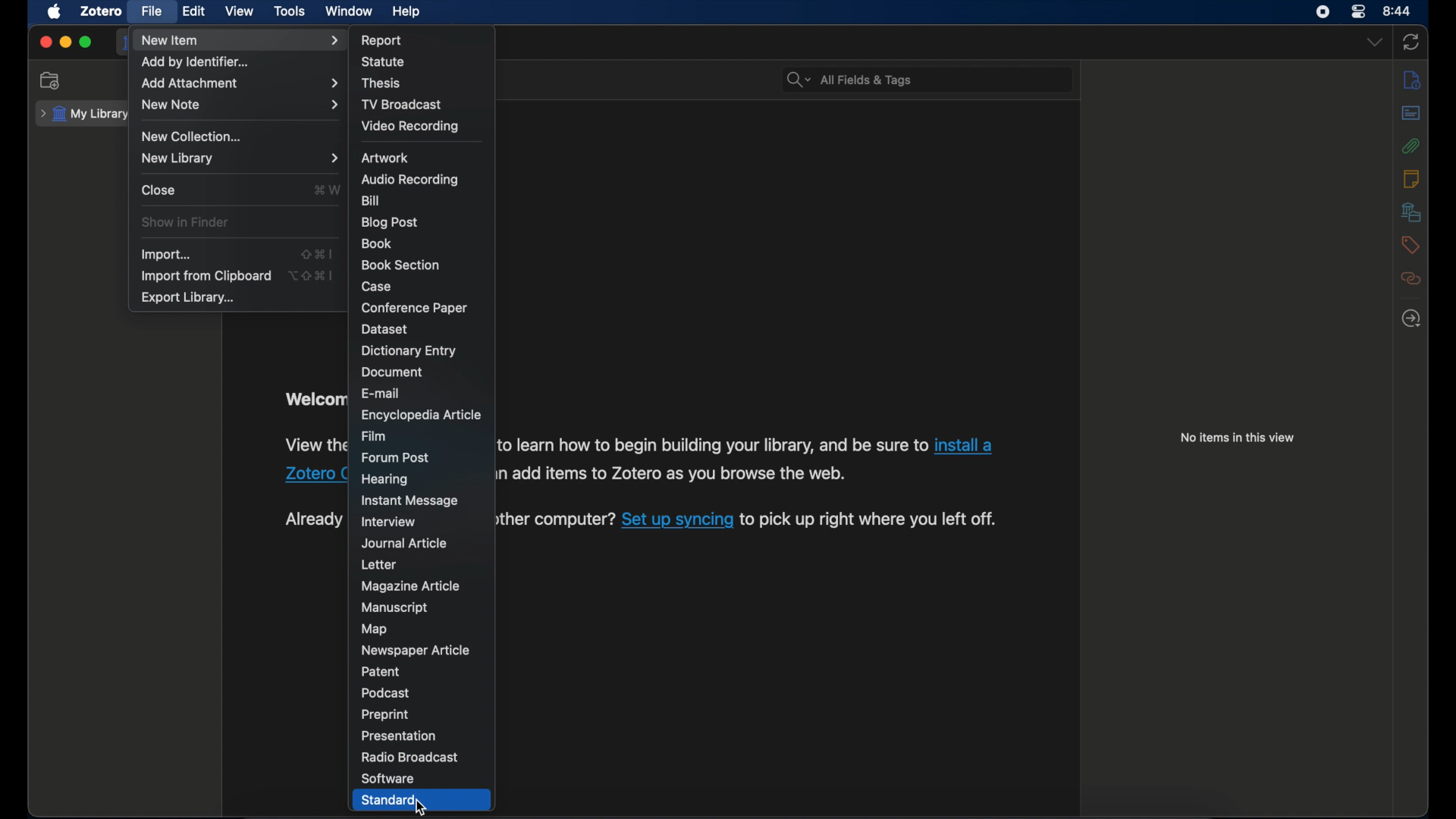 The height and width of the screenshot is (819, 1456). I want to click on search bar input, so click(946, 80).